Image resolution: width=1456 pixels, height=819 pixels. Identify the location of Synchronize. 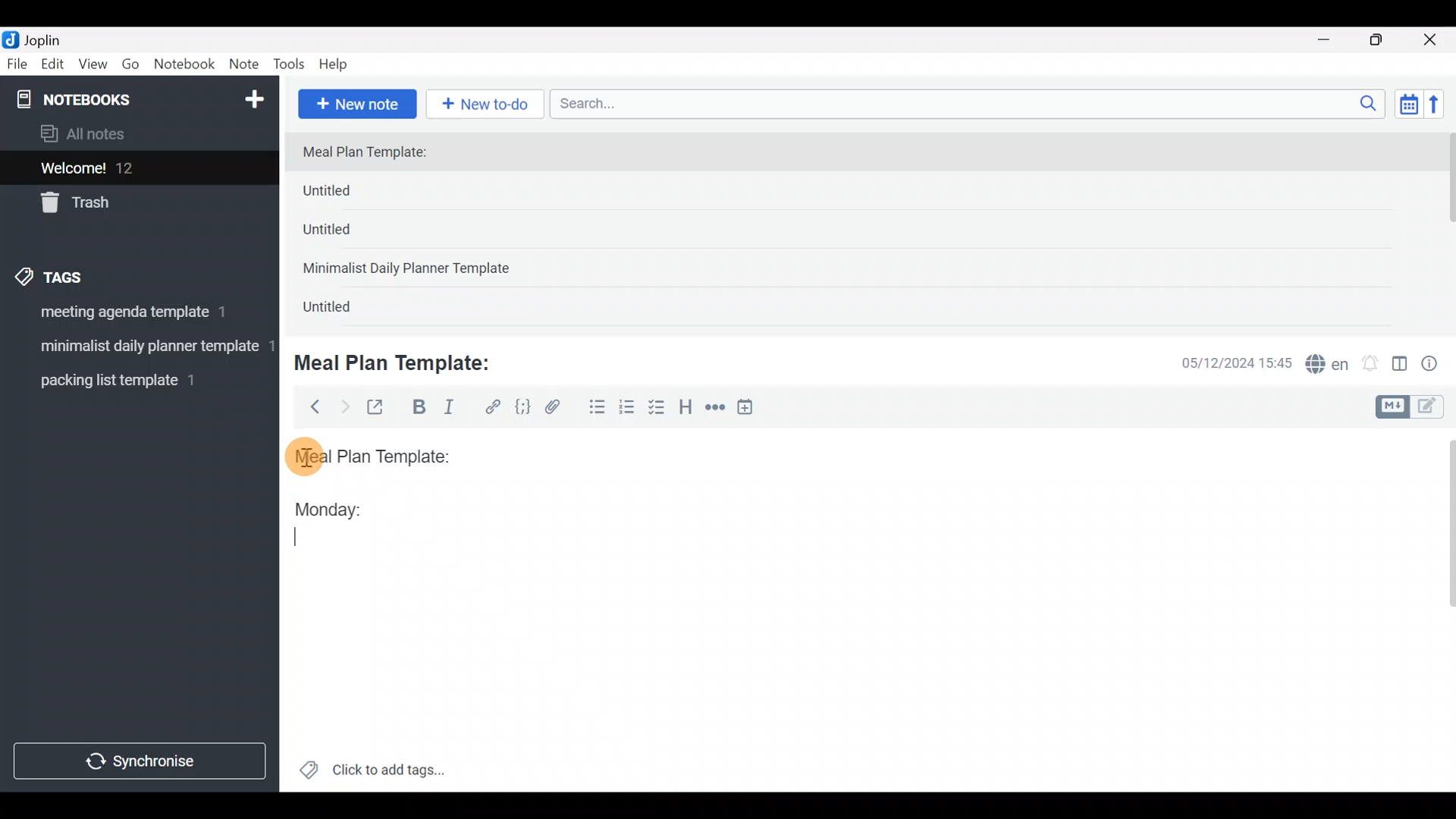
(142, 761).